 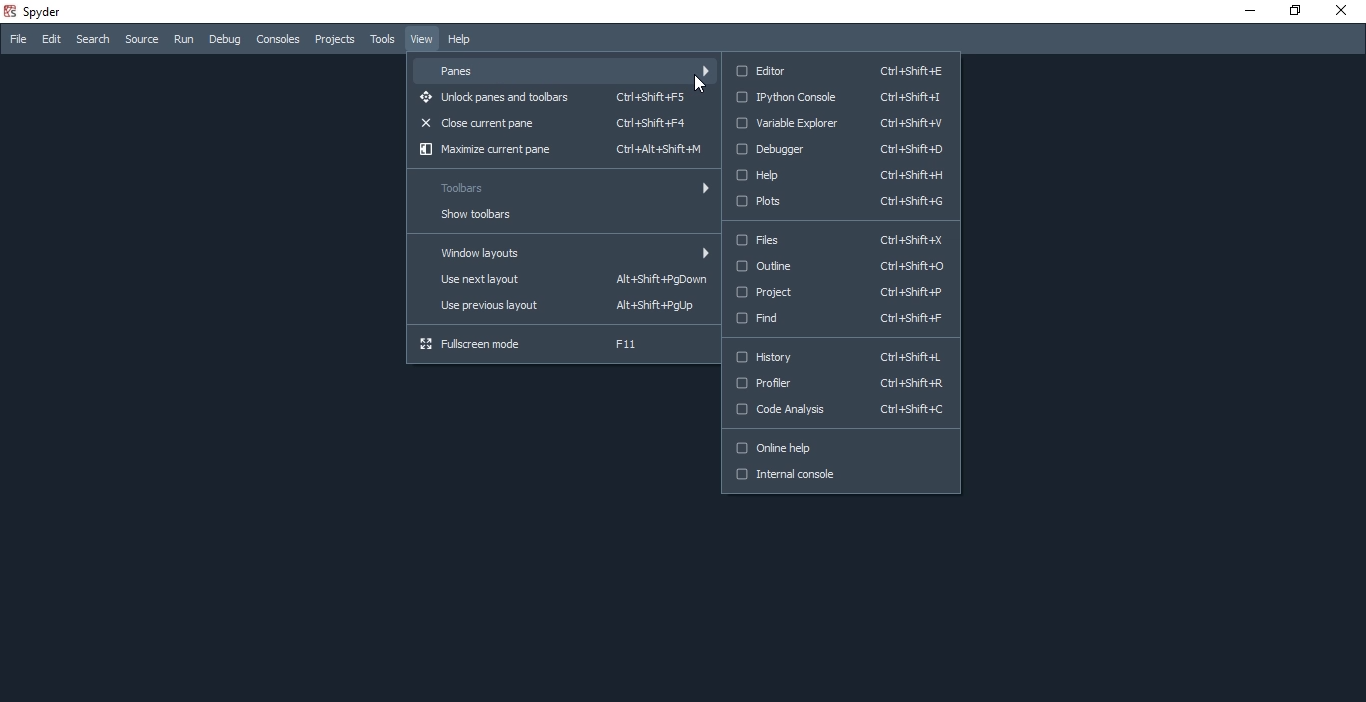 I want to click on IPython Console, so click(x=838, y=97).